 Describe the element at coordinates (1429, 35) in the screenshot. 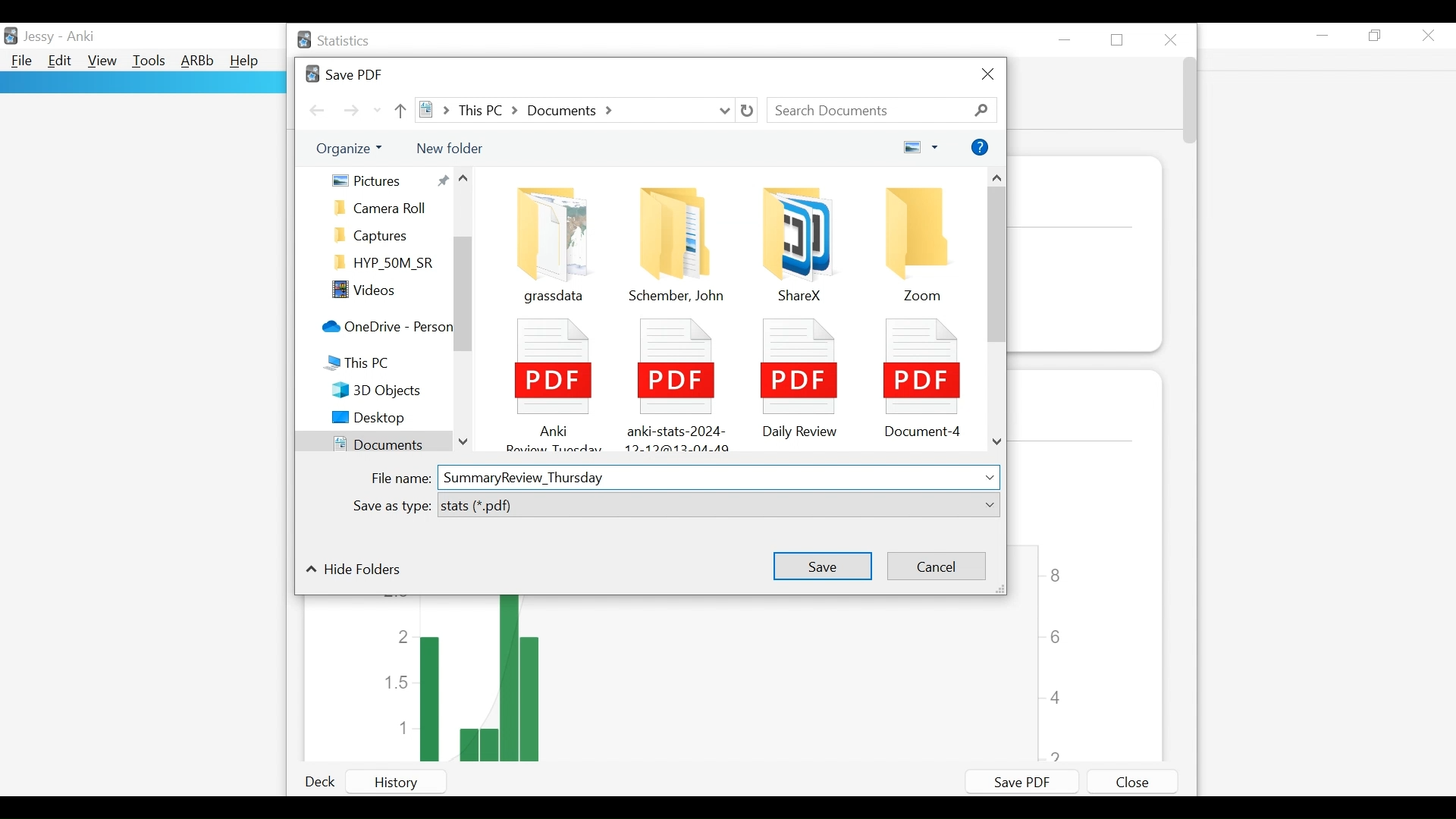

I see `Close` at that location.